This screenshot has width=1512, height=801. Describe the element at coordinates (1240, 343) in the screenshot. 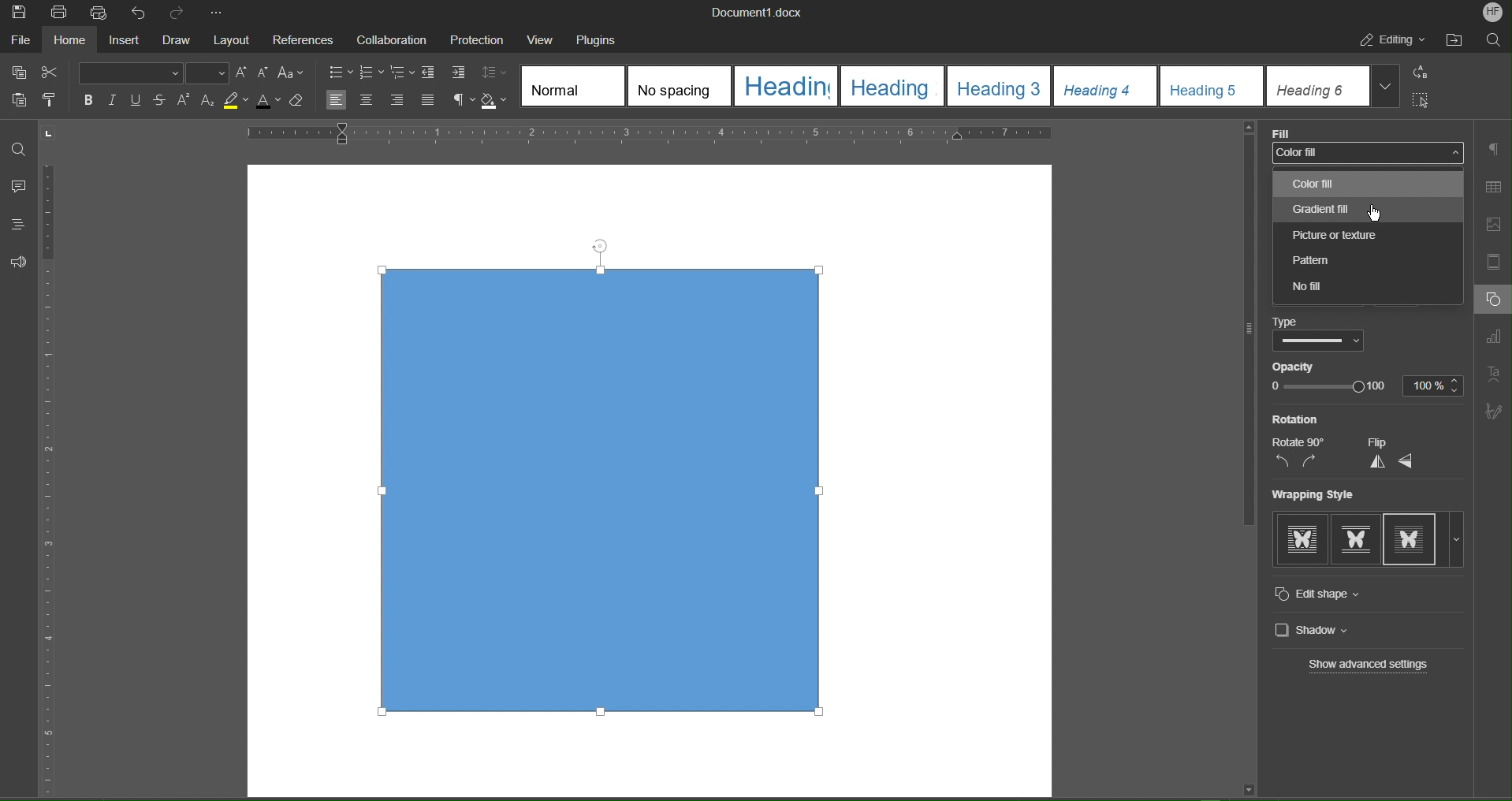

I see `Vertical scroll bar` at that location.